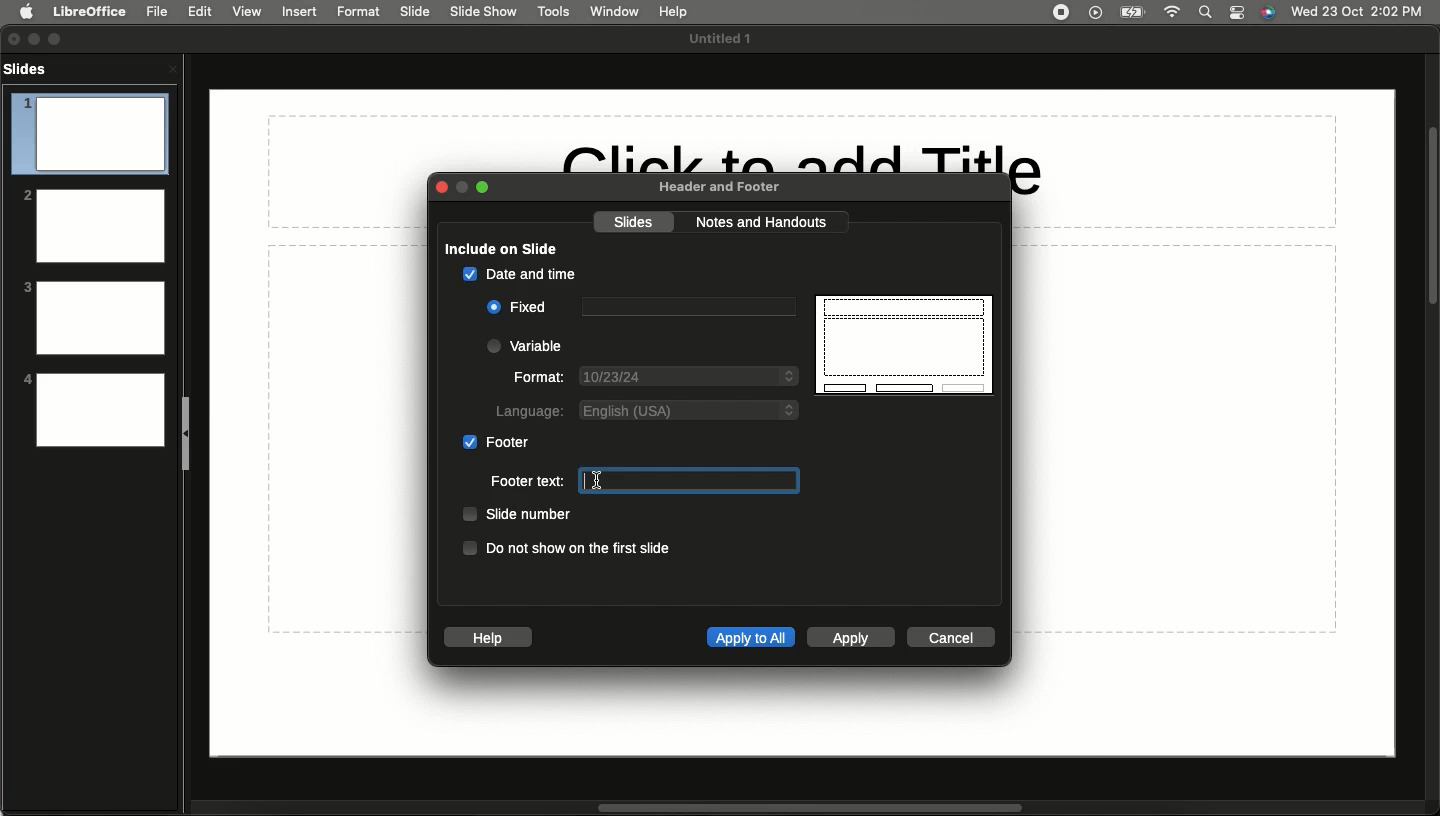 This screenshot has height=816, width=1440. What do you see at coordinates (1132, 12) in the screenshot?
I see `Charge` at bounding box center [1132, 12].